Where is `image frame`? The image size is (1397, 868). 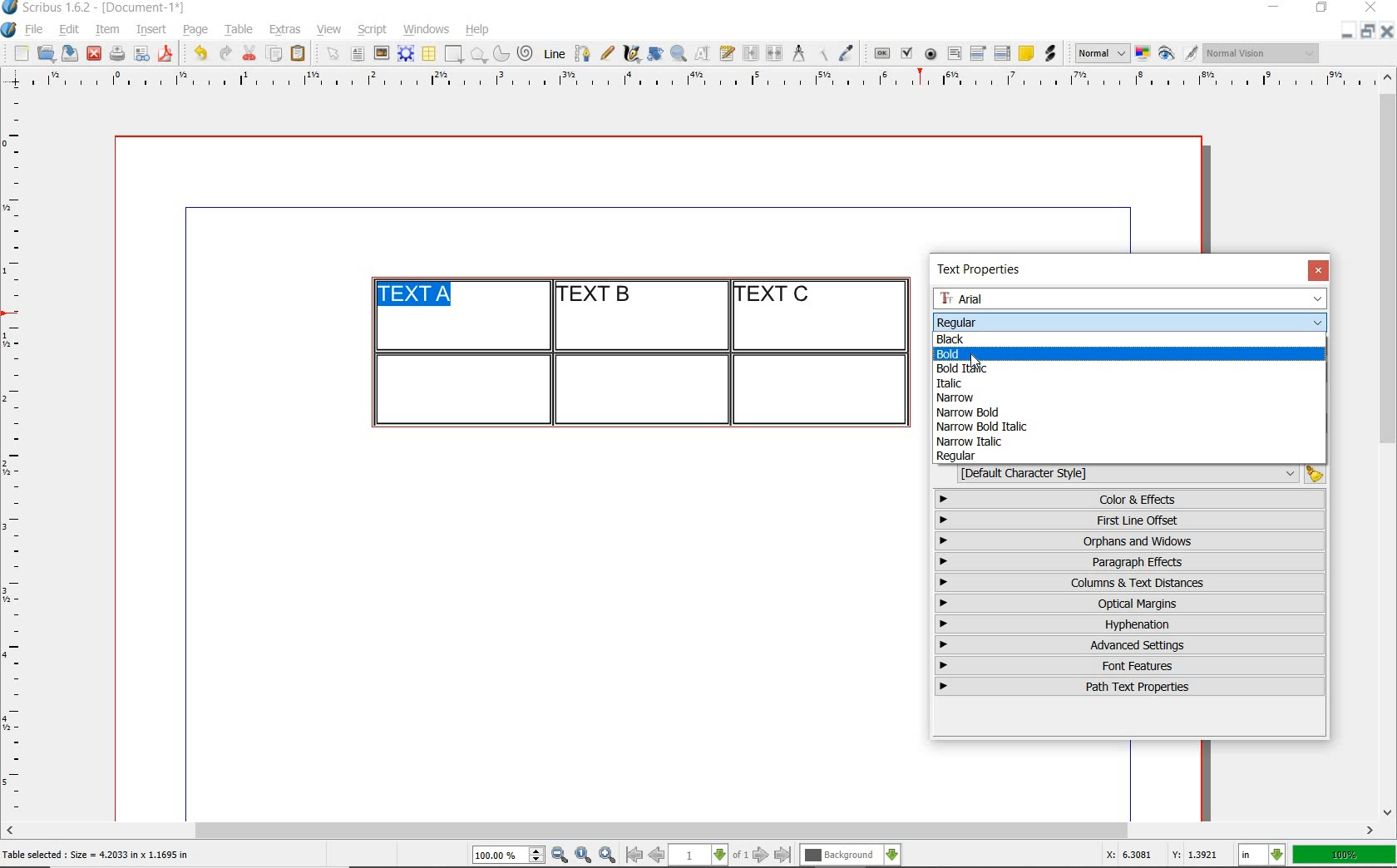 image frame is located at coordinates (383, 53).